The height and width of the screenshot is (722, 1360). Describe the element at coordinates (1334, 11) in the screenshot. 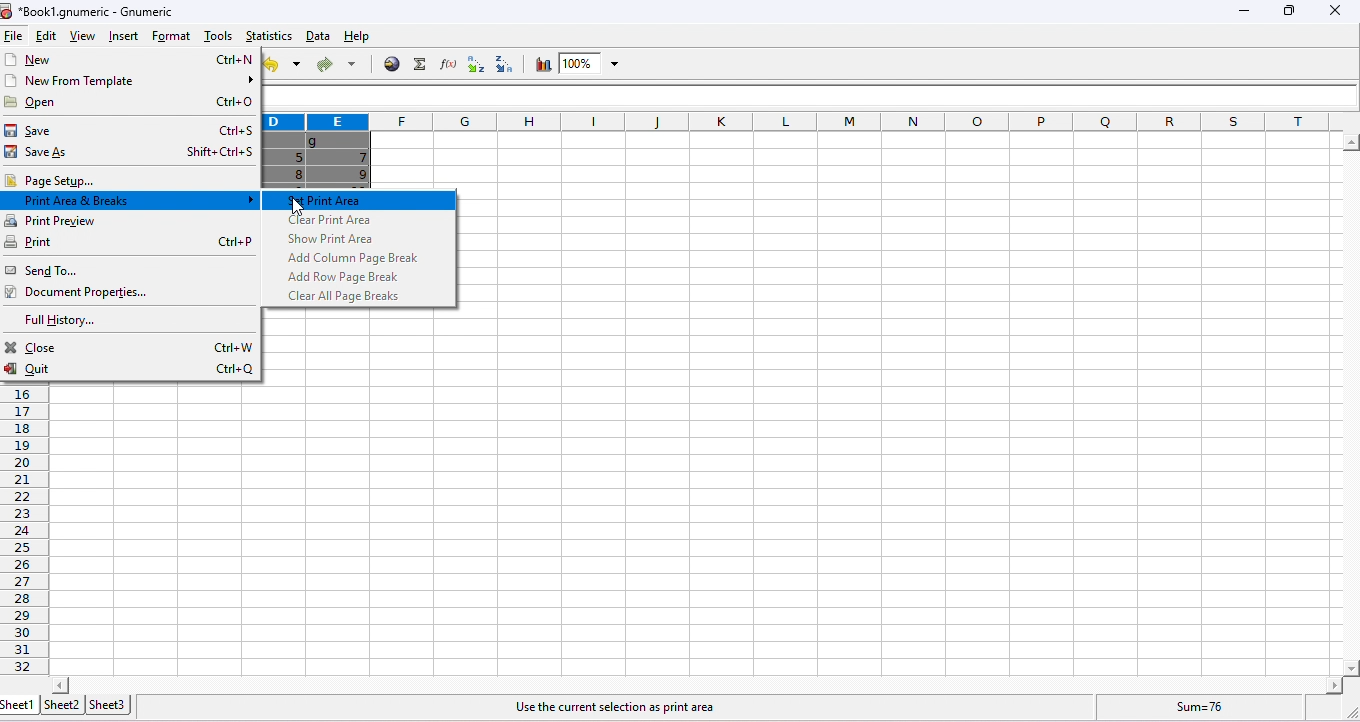

I see `close` at that location.